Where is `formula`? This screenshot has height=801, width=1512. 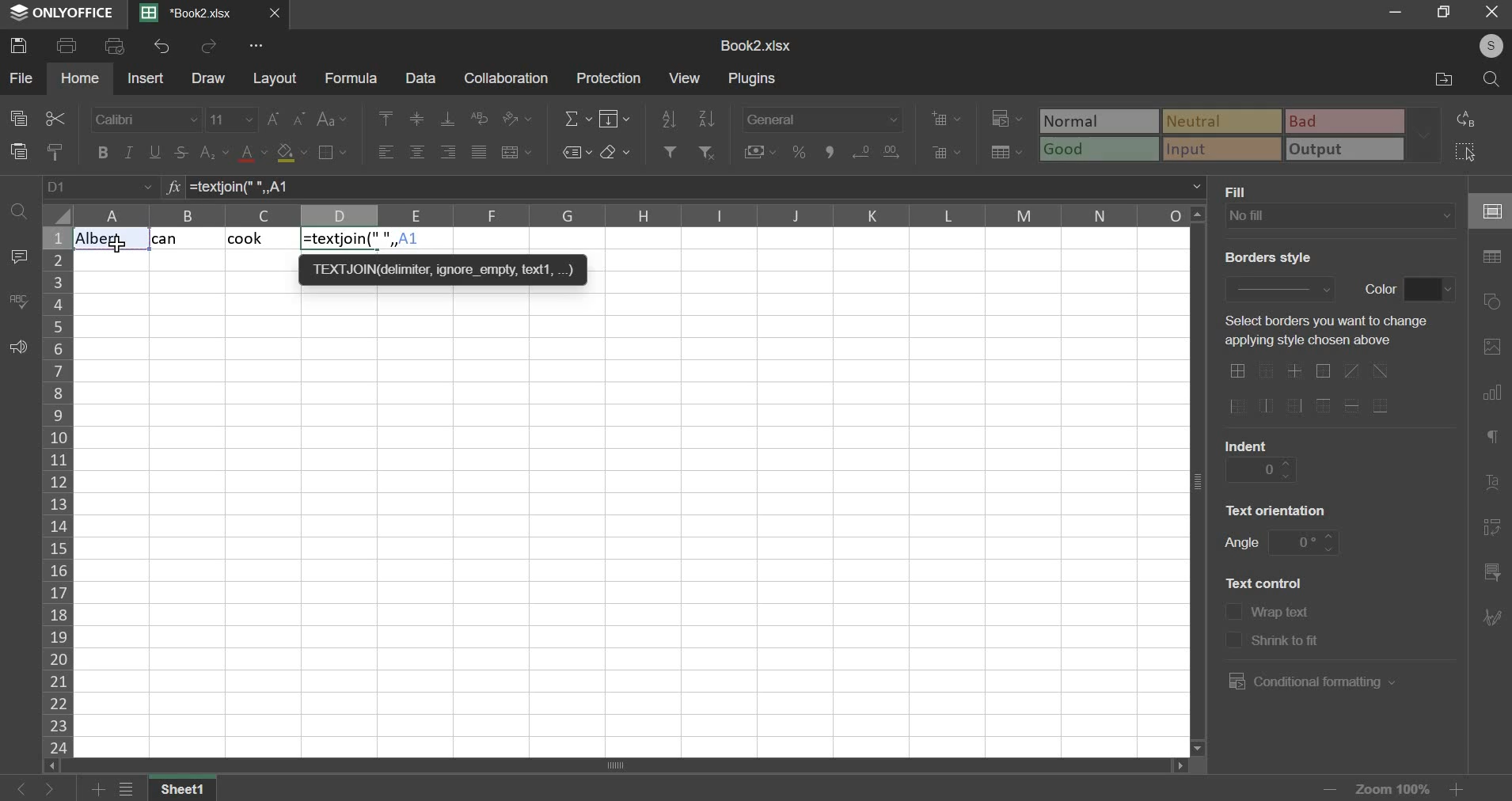 formula is located at coordinates (366, 240).